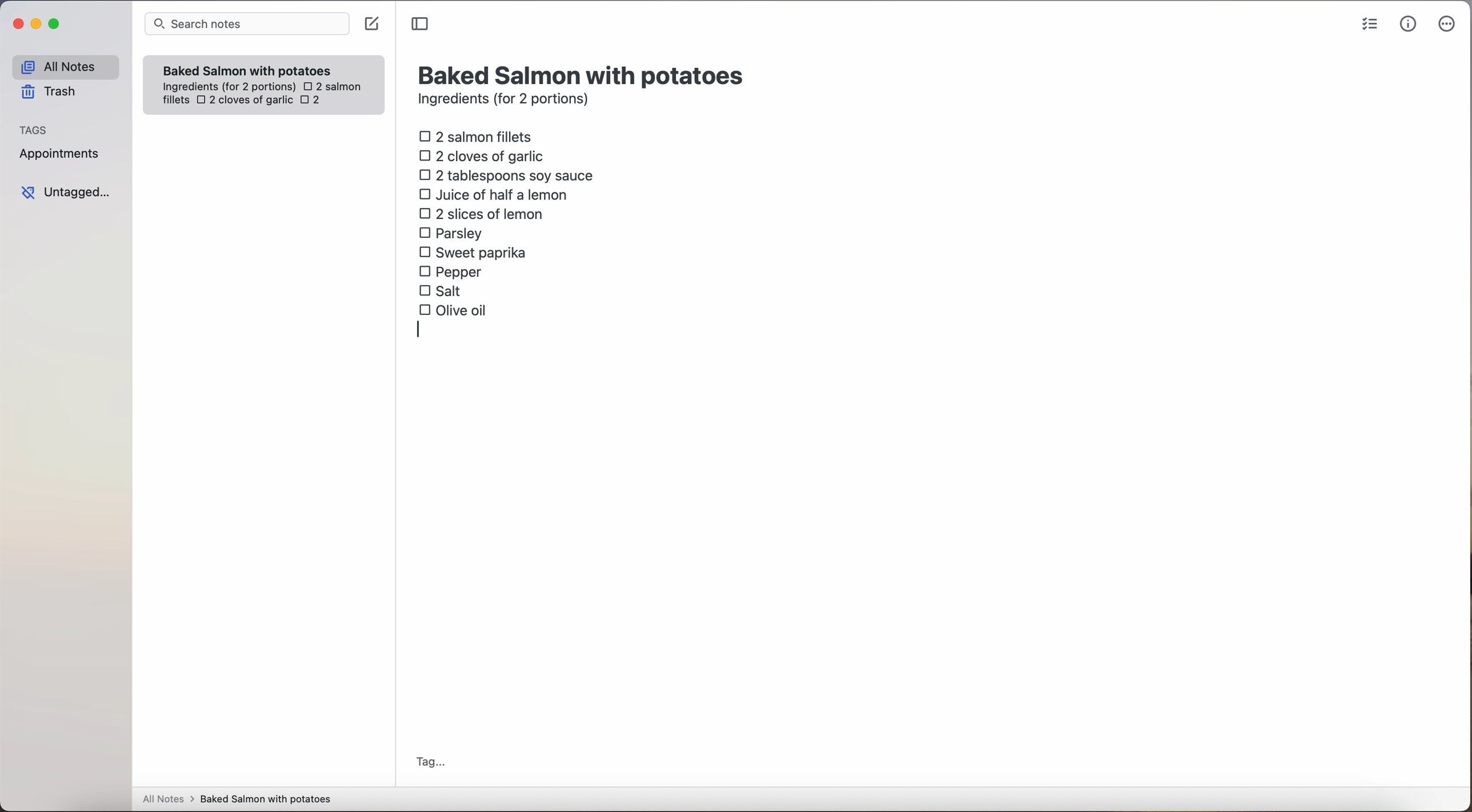 The image size is (1472, 812). Describe the element at coordinates (430, 763) in the screenshot. I see `tag` at that location.